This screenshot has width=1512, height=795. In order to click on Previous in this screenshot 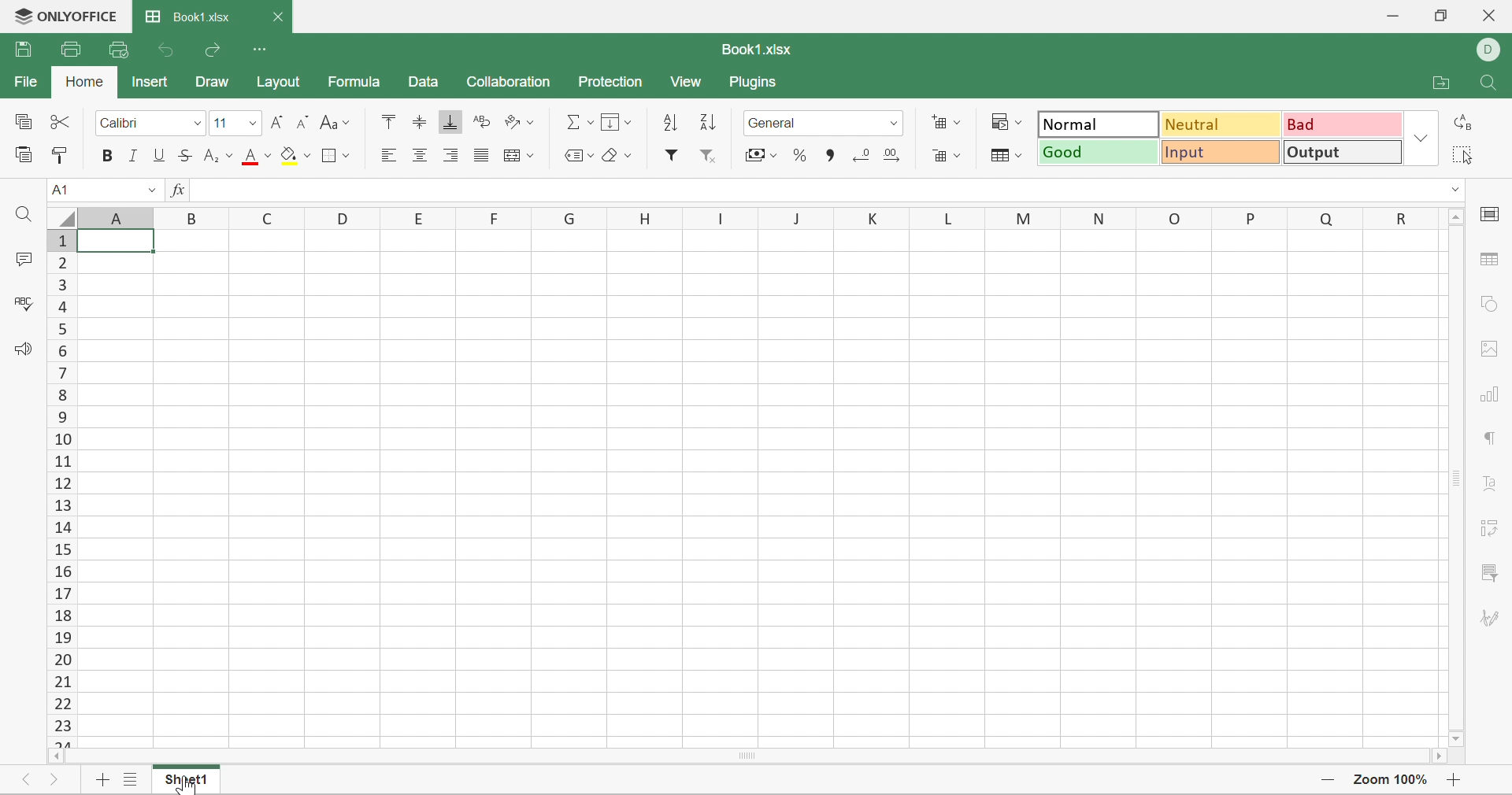, I will do `click(29, 780)`.